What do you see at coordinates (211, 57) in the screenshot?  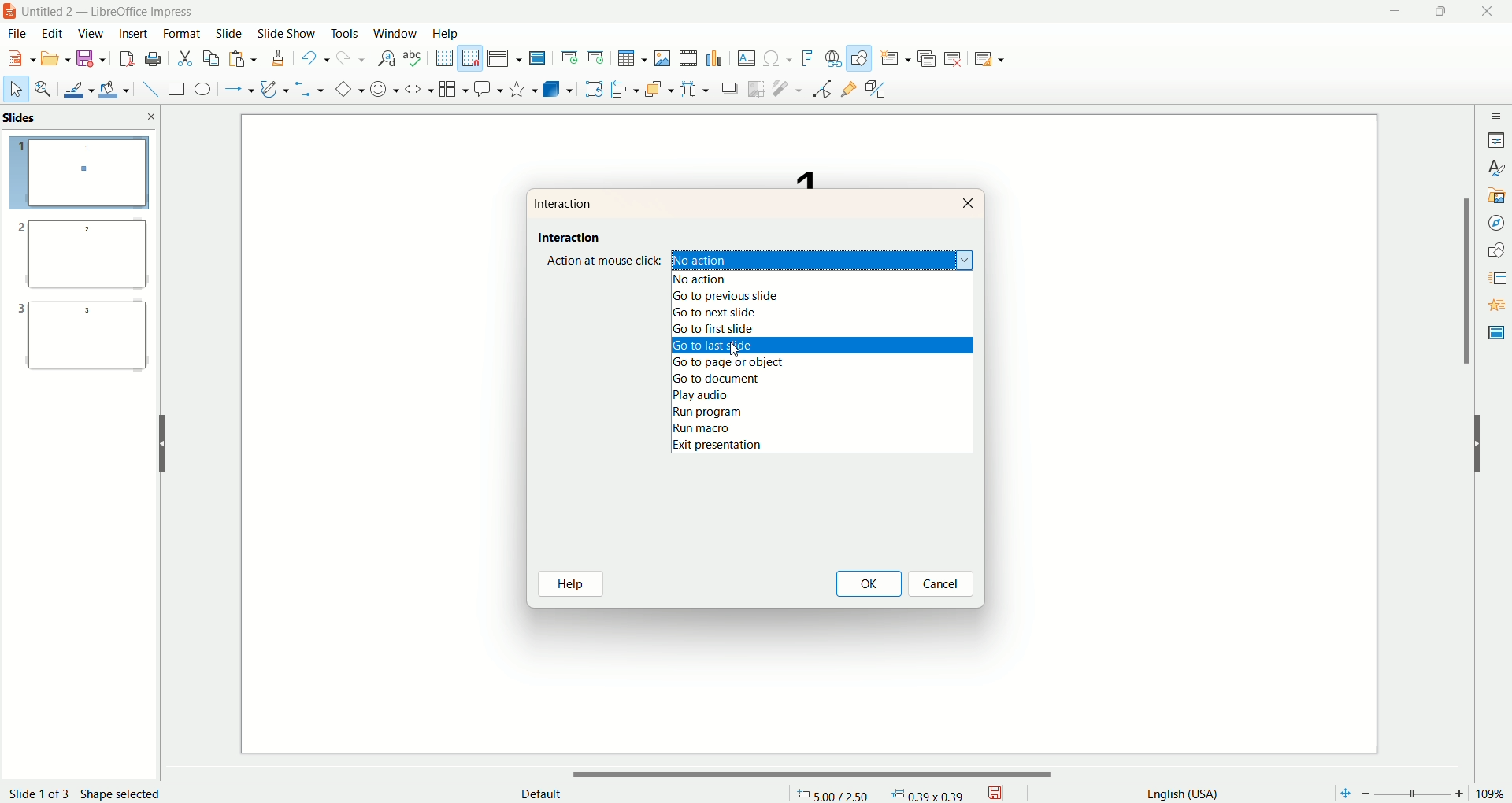 I see `copy` at bounding box center [211, 57].